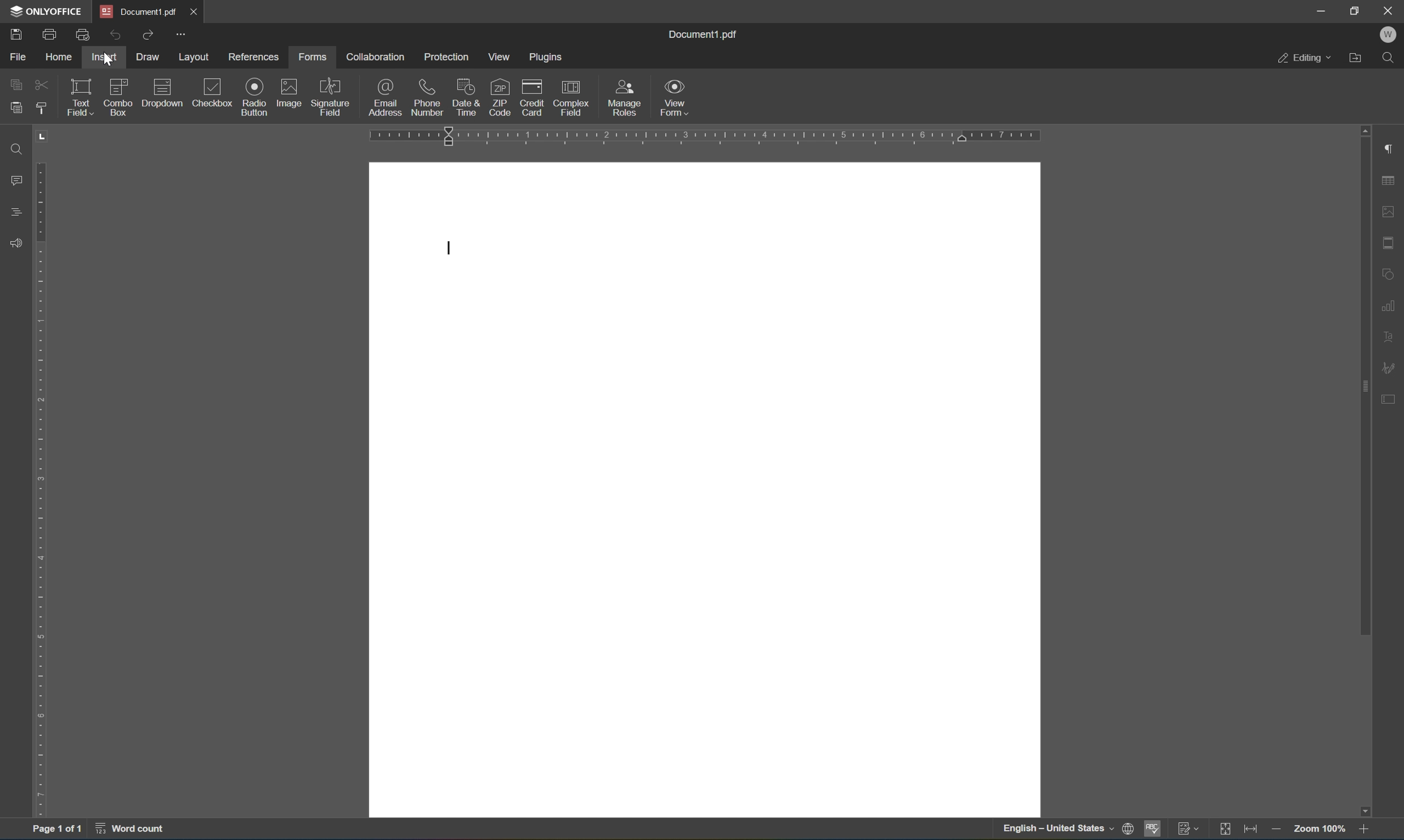 The width and height of the screenshot is (1404, 840). What do you see at coordinates (466, 98) in the screenshot?
I see `date and time` at bounding box center [466, 98].